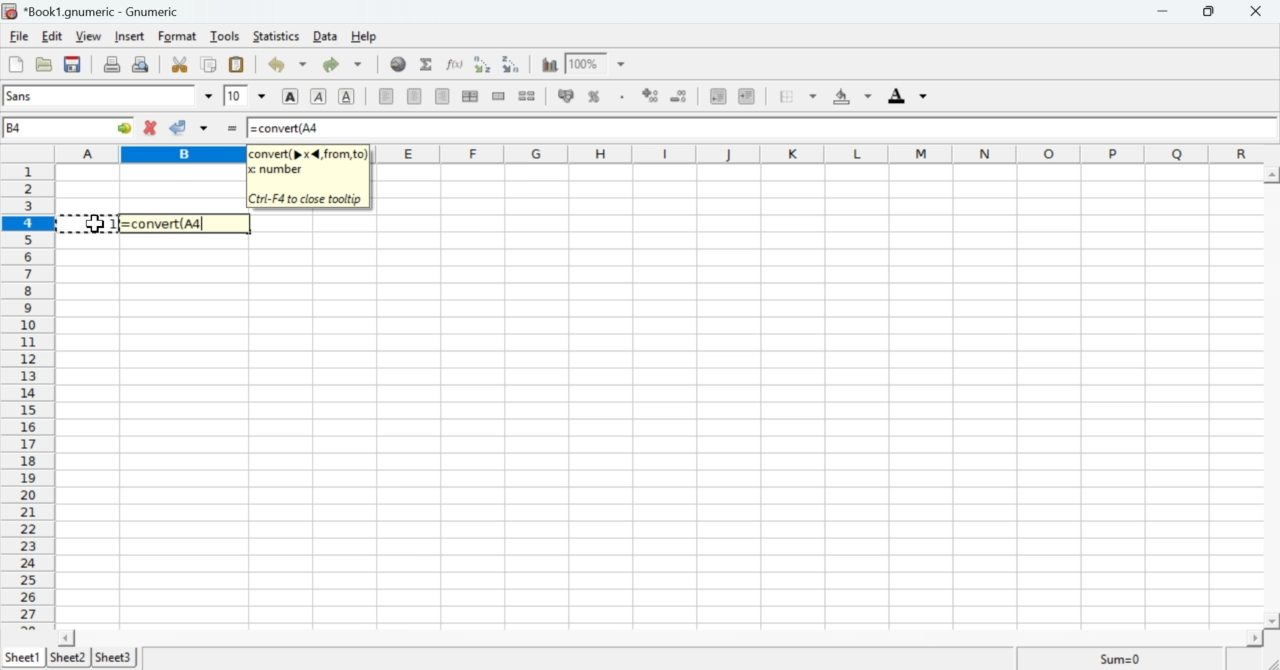  I want to click on scroll left, so click(64, 638).